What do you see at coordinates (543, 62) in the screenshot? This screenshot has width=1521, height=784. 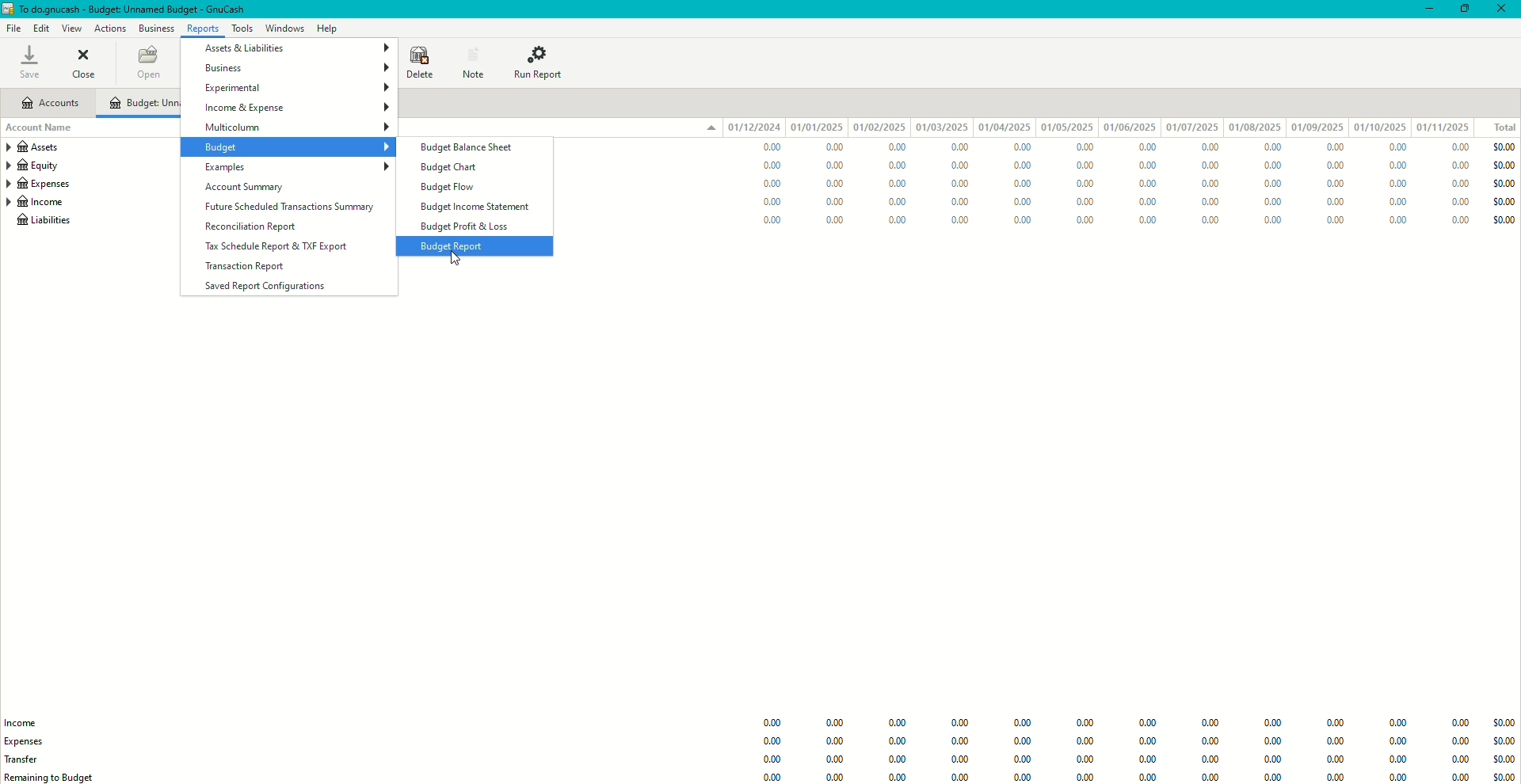 I see `Run Report` at bounding box center [543, 62].